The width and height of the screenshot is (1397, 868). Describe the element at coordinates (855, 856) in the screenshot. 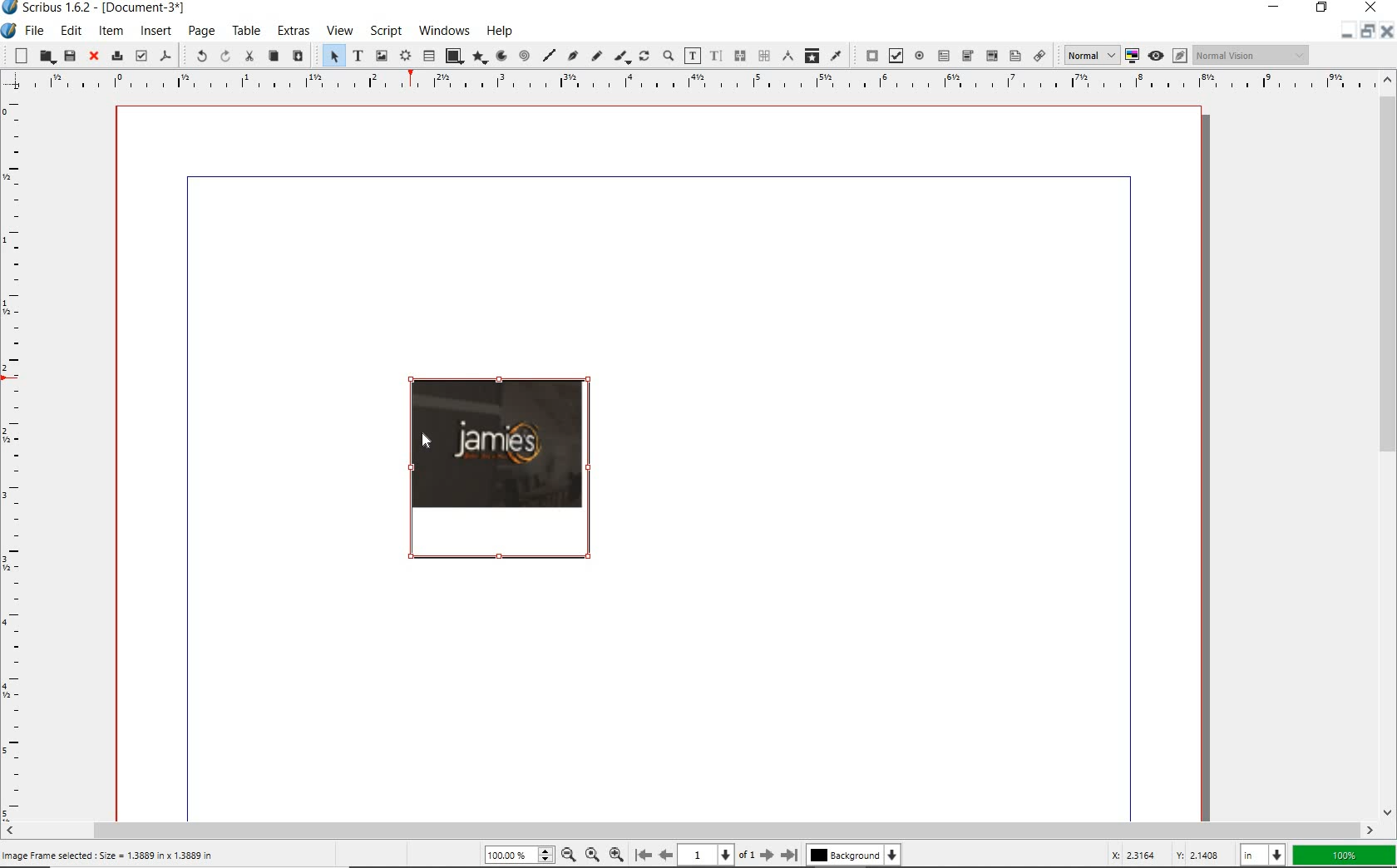

I see `background` at that location.